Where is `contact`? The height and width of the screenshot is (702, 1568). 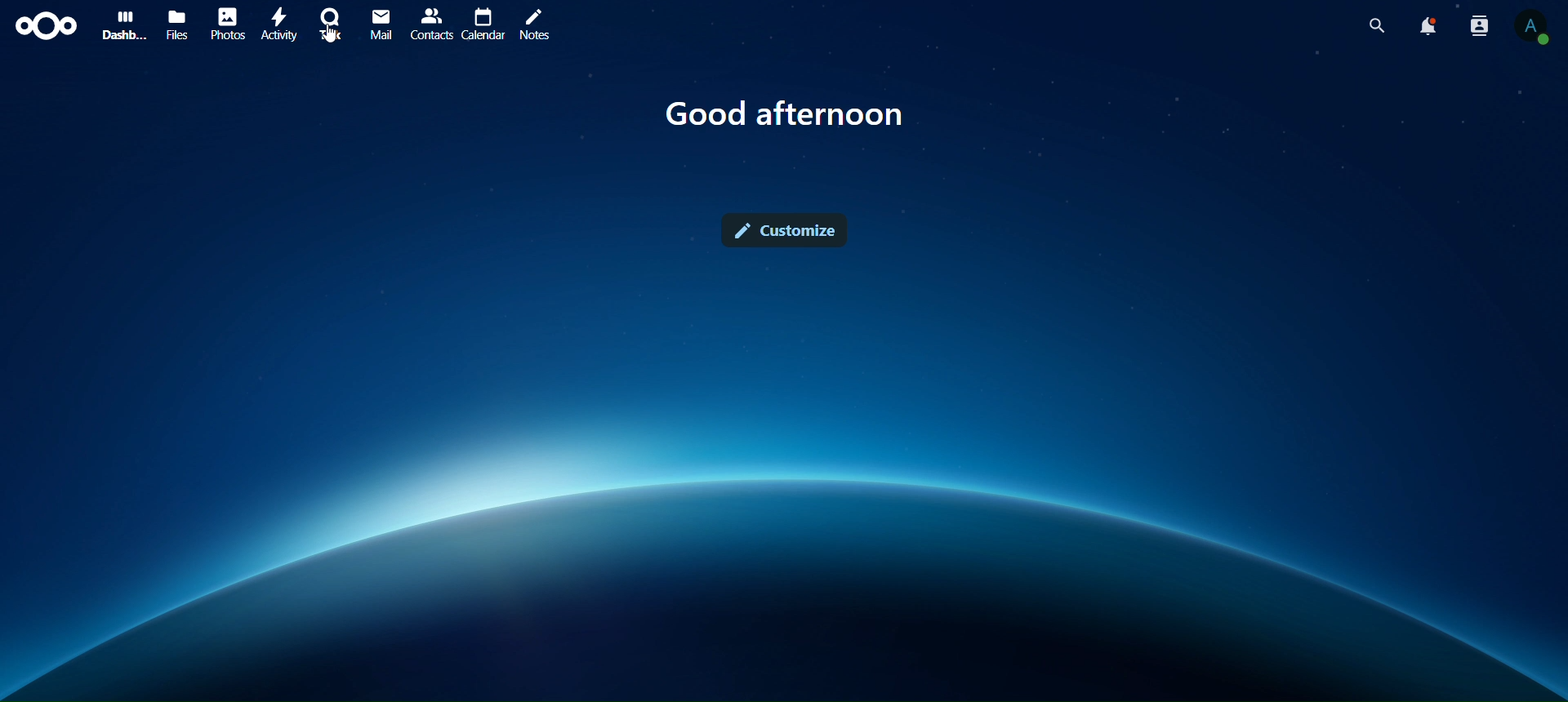
contact is located at coordinates (431, 23).